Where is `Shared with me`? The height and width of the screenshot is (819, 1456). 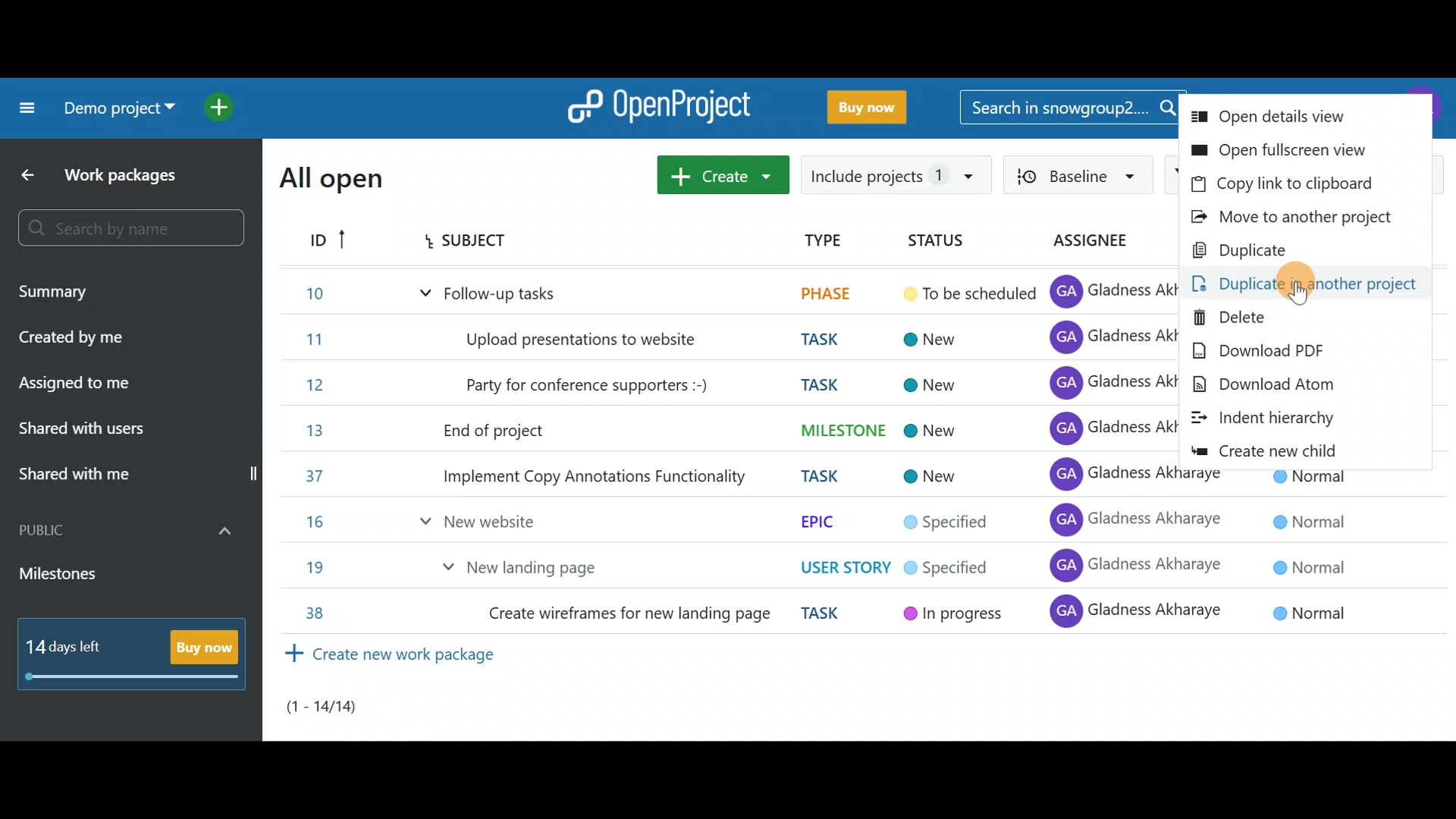 Shared with me is located at coordinates (138, 475).